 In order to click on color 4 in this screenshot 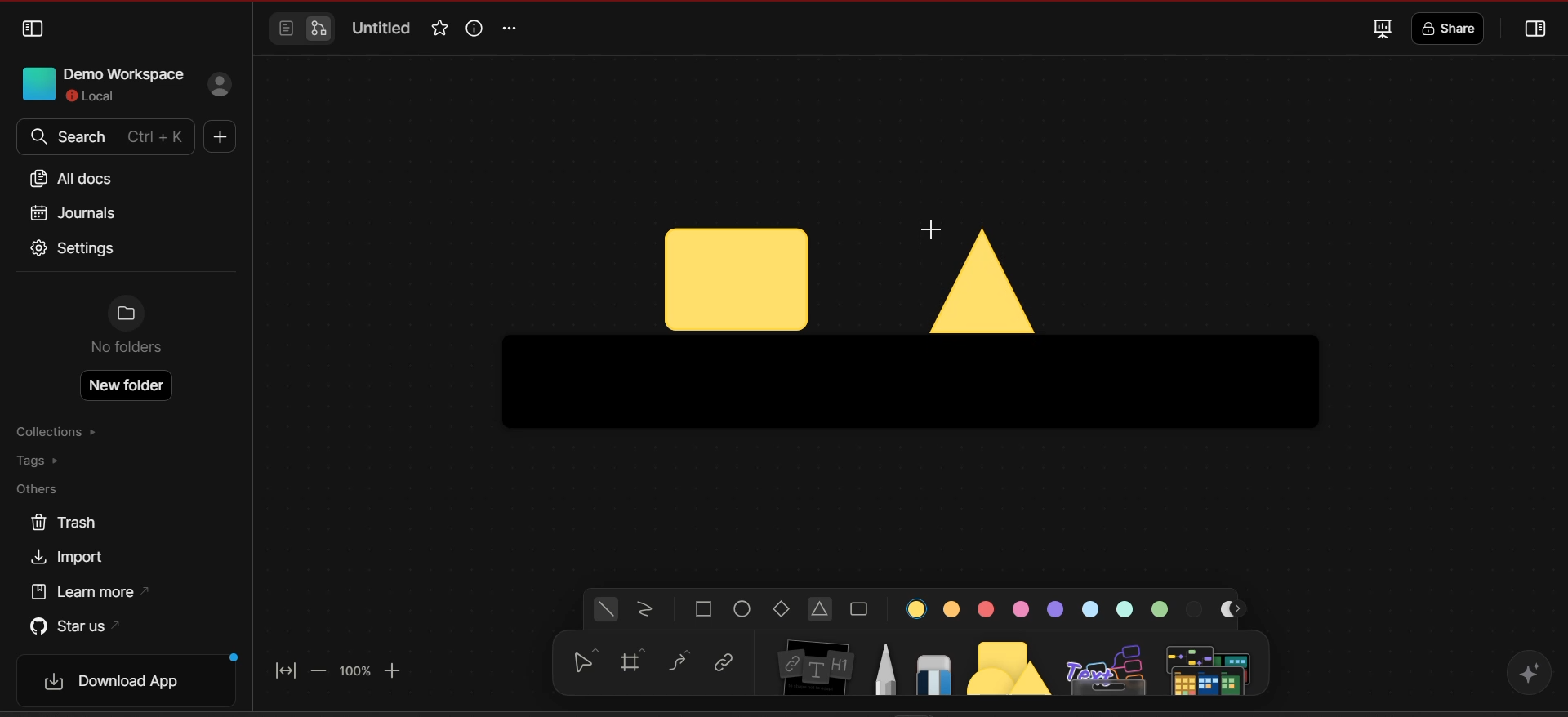, I will do `click(1020, 609)`.